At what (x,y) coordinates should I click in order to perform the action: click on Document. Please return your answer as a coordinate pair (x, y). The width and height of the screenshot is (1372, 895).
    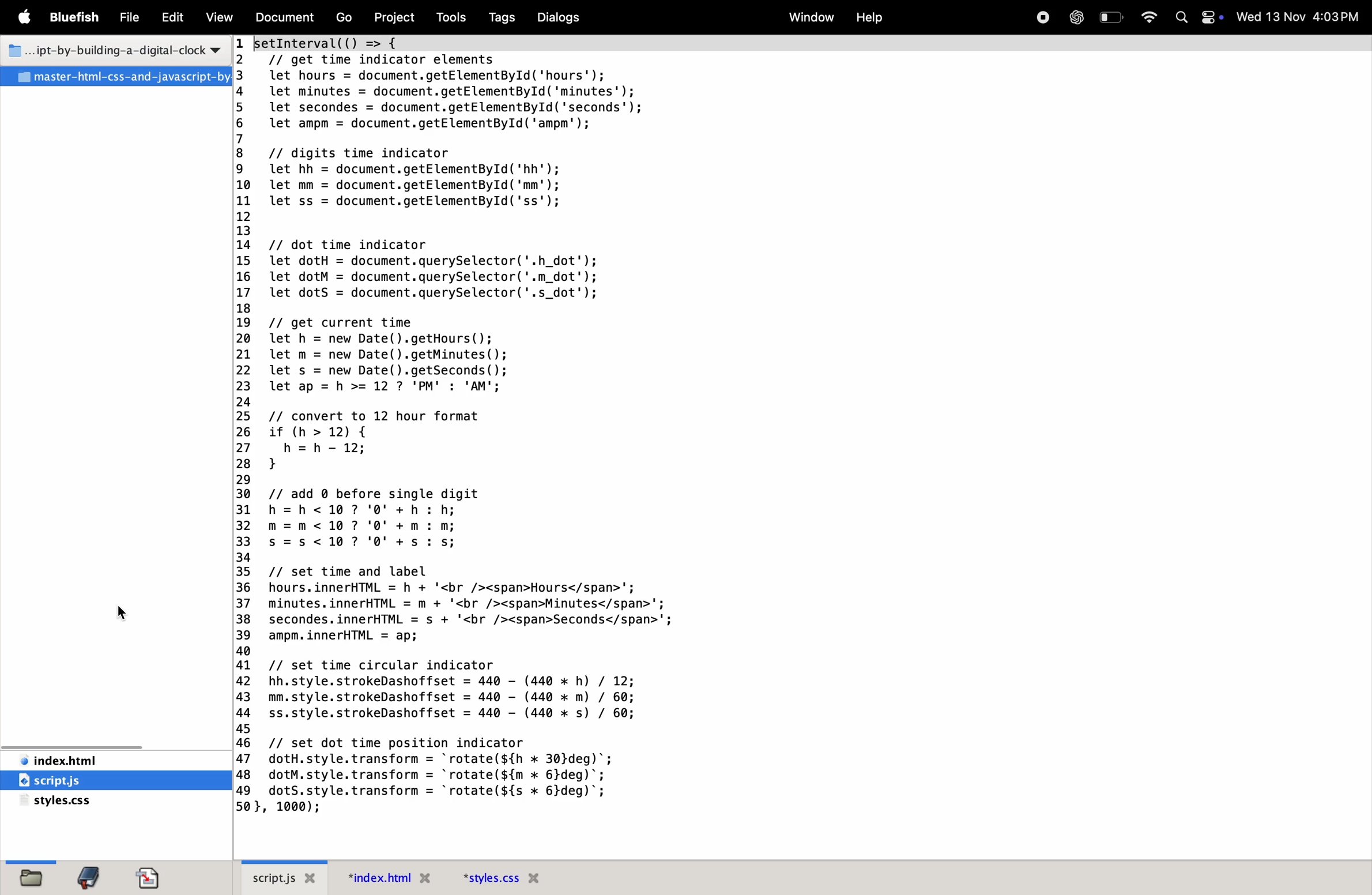
    Looking at the image, I should click on (283, 18).